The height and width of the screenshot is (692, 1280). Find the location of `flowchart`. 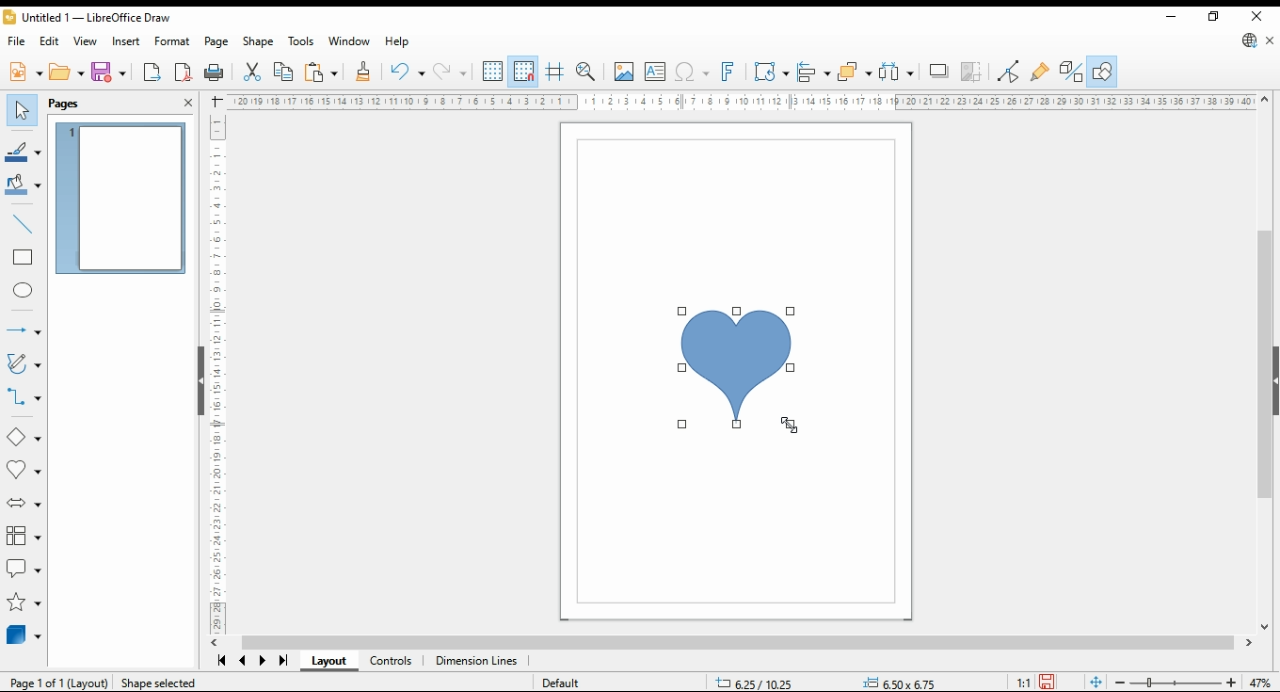

flowchart is located at coordinates (20, 534).